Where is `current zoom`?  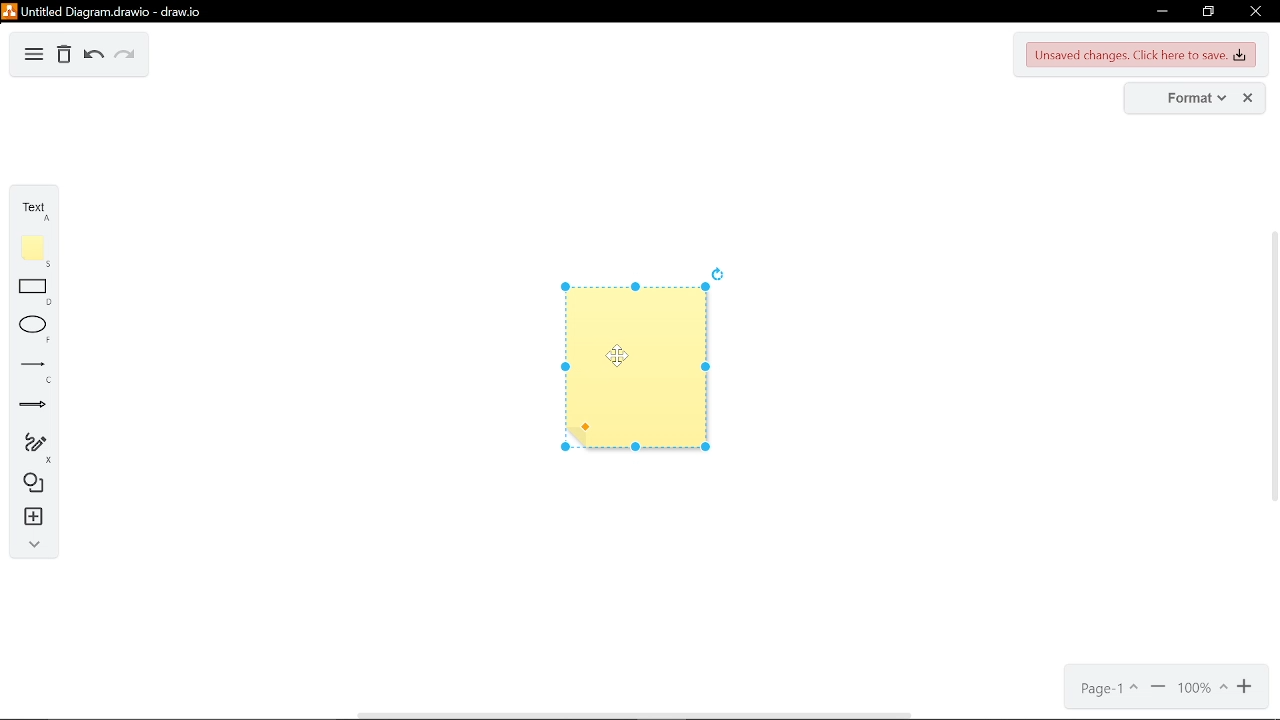 current zoom is located at coordinates (1202, 690).